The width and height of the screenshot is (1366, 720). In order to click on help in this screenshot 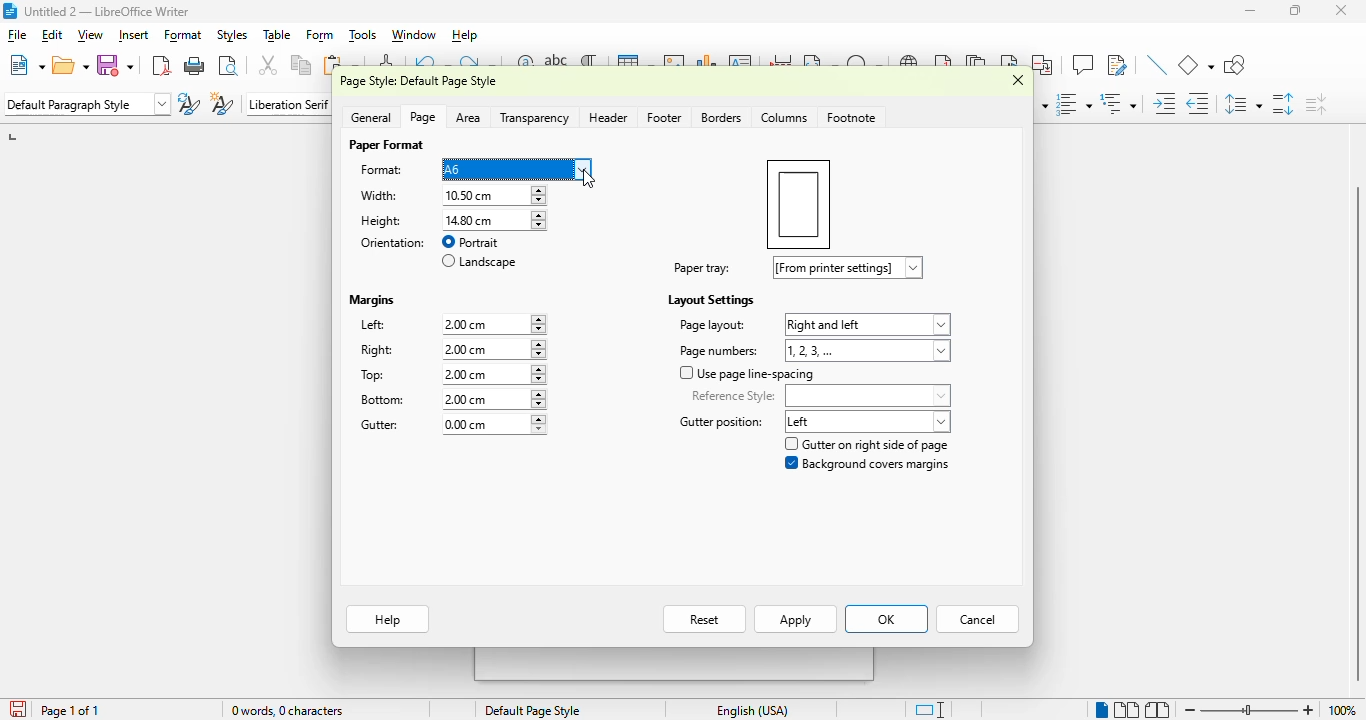, I will do `click(387, 619)`.